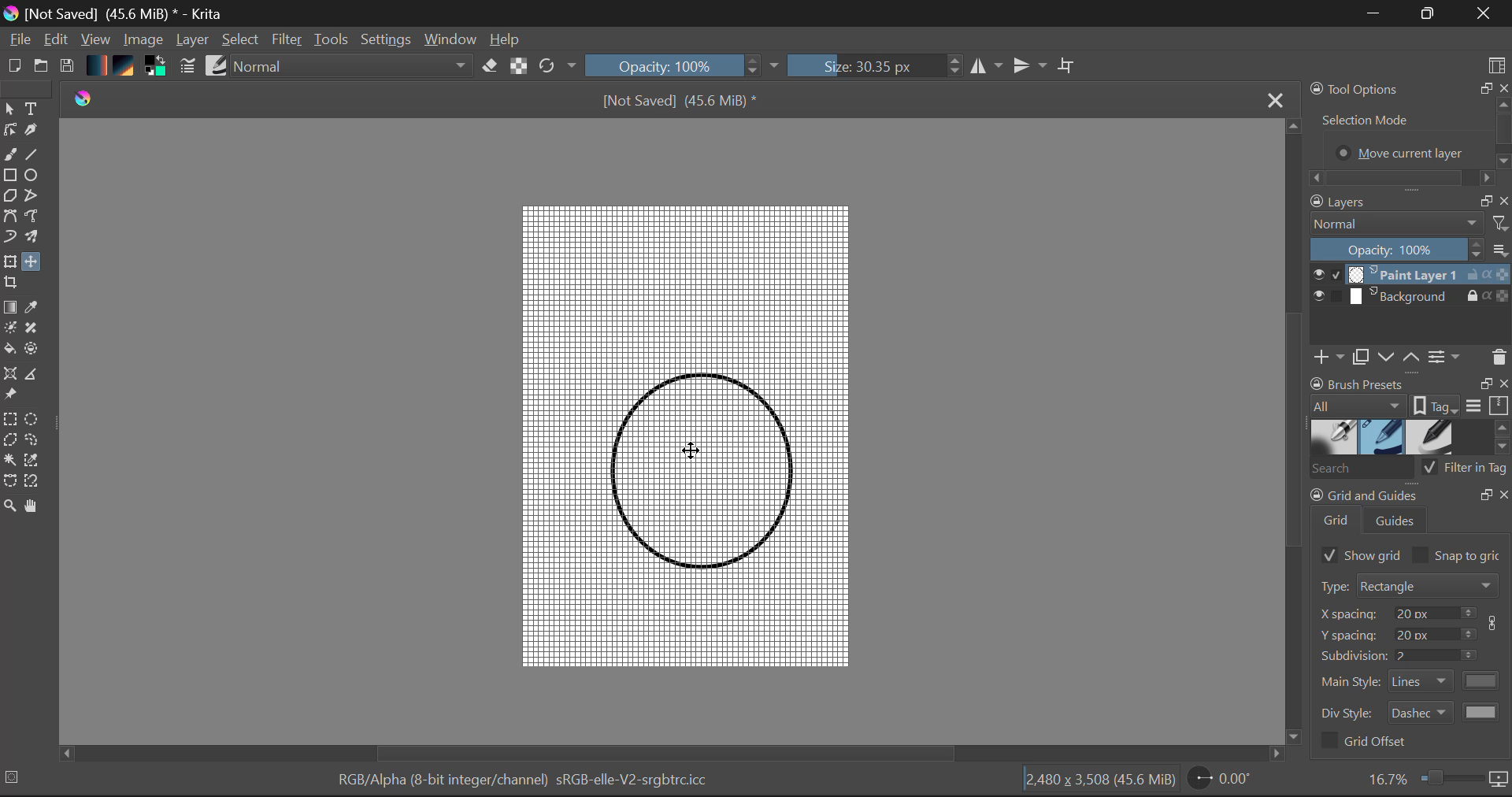 The image size is (1512, 797). What do you see at coordinates (34, 262) in the screenshot?
I see `Move Layer` at bounding box center [34, 262].